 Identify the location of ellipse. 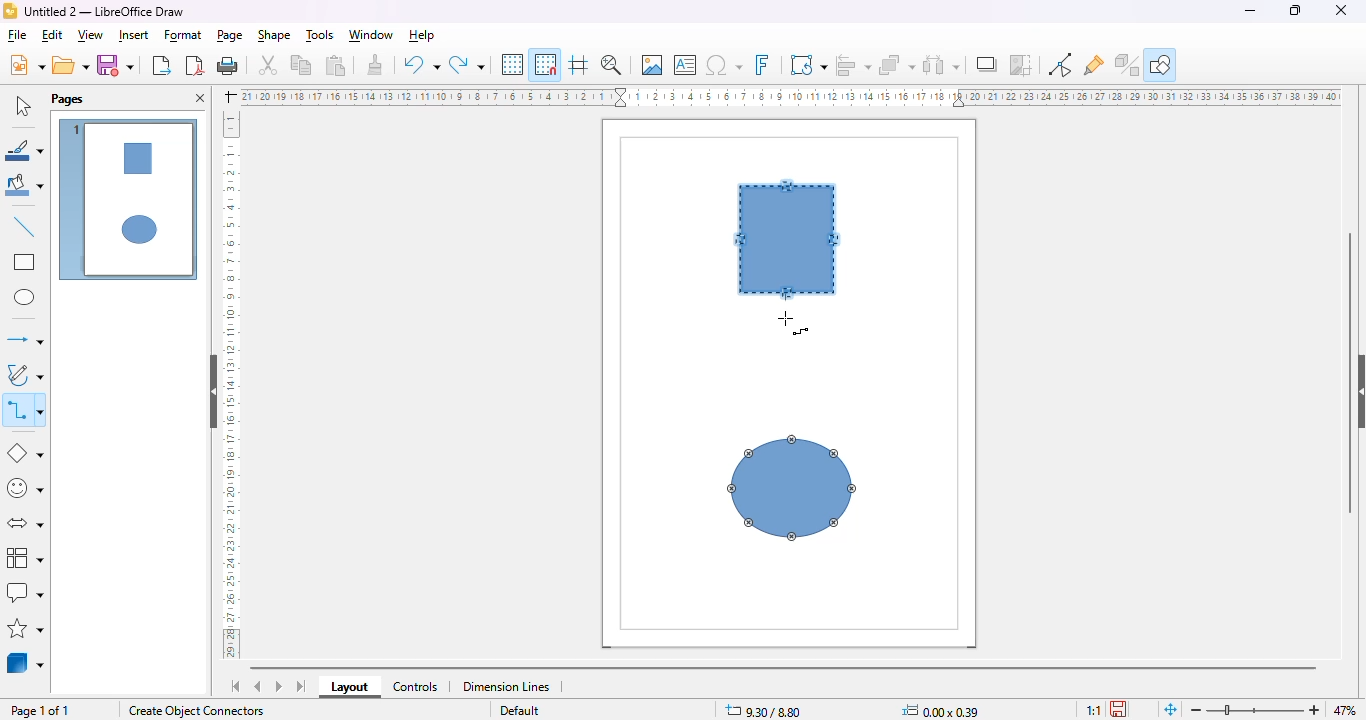
(24, 297).